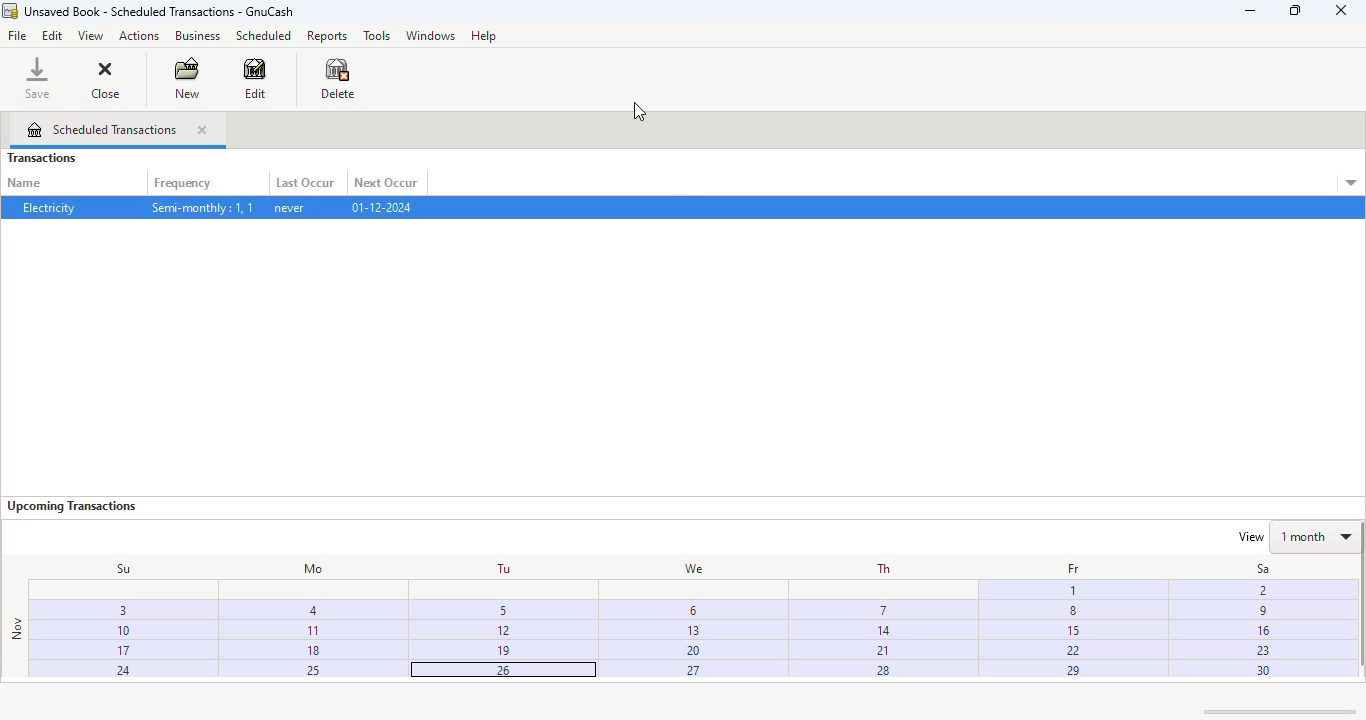 The height and width of the screenshot is (720, 1366). What do you see at coordinates (25, 183) in the screenshot?
I see `name` at bounding box center [25, 183].